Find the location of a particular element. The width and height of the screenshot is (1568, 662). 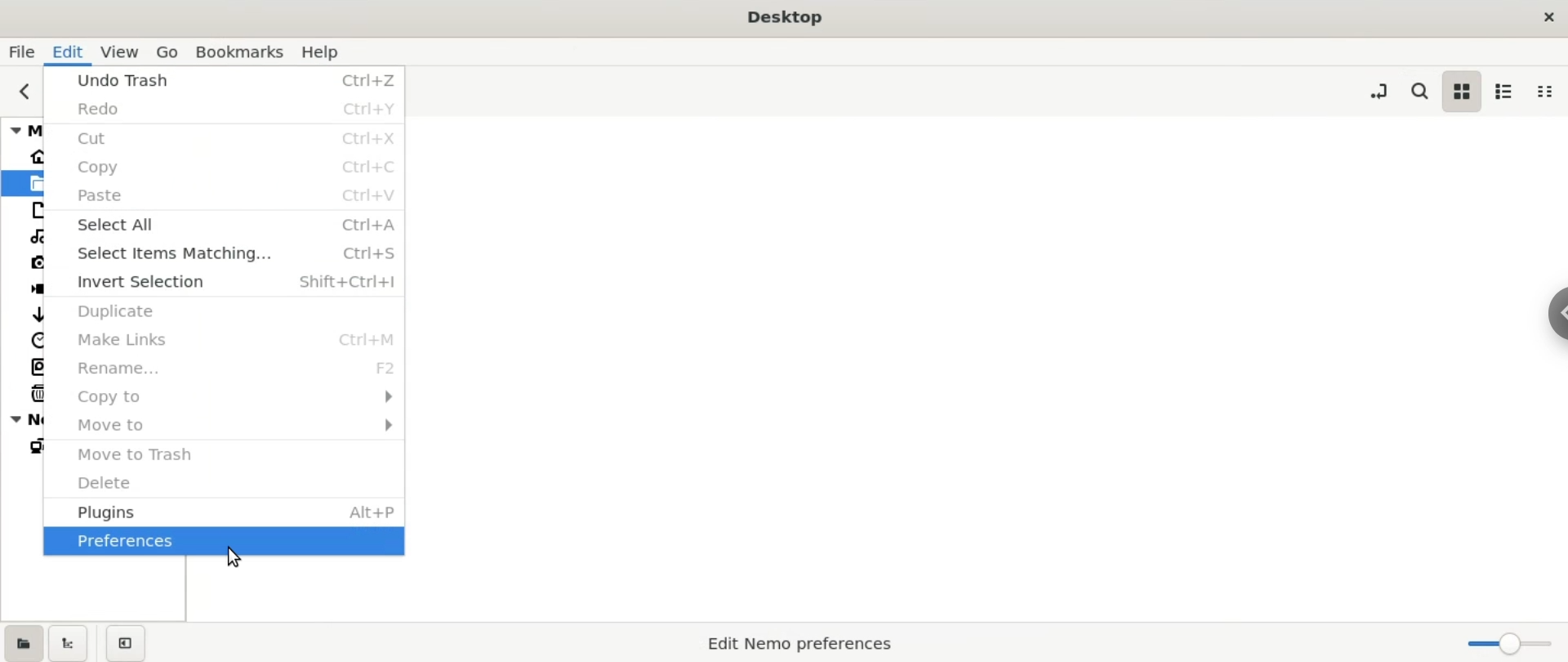

Desktop is located at coordinates (782, 16).